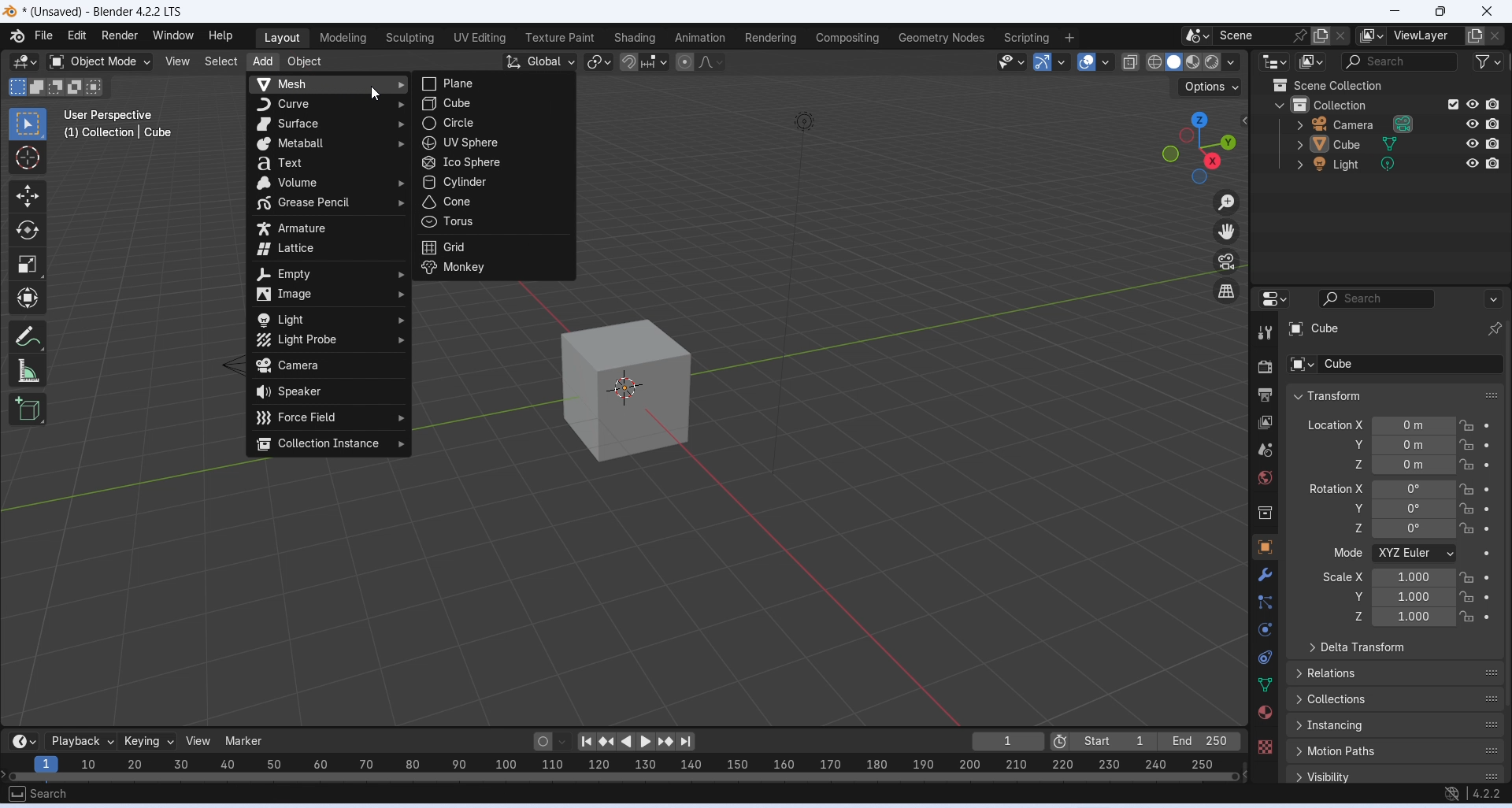 The height and width of the screenshot is (808, 1512). What do you see at coordinates (1473, 124) in the screenshot?
I see `hide in viewport` at bounding box center [1473, 124].